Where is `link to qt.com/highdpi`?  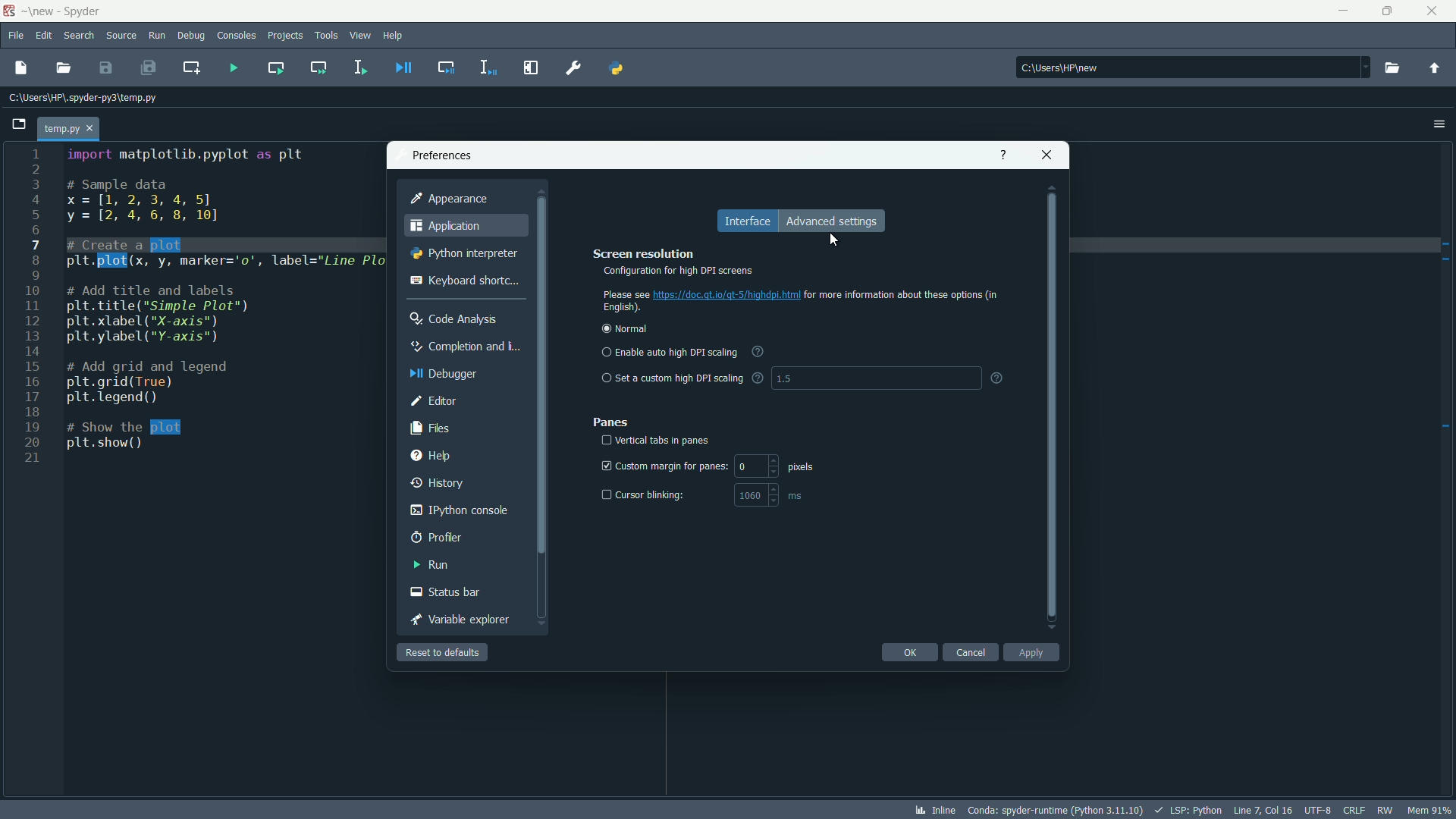
link to qt.com/highdpi is located at coordinates (727, 295).